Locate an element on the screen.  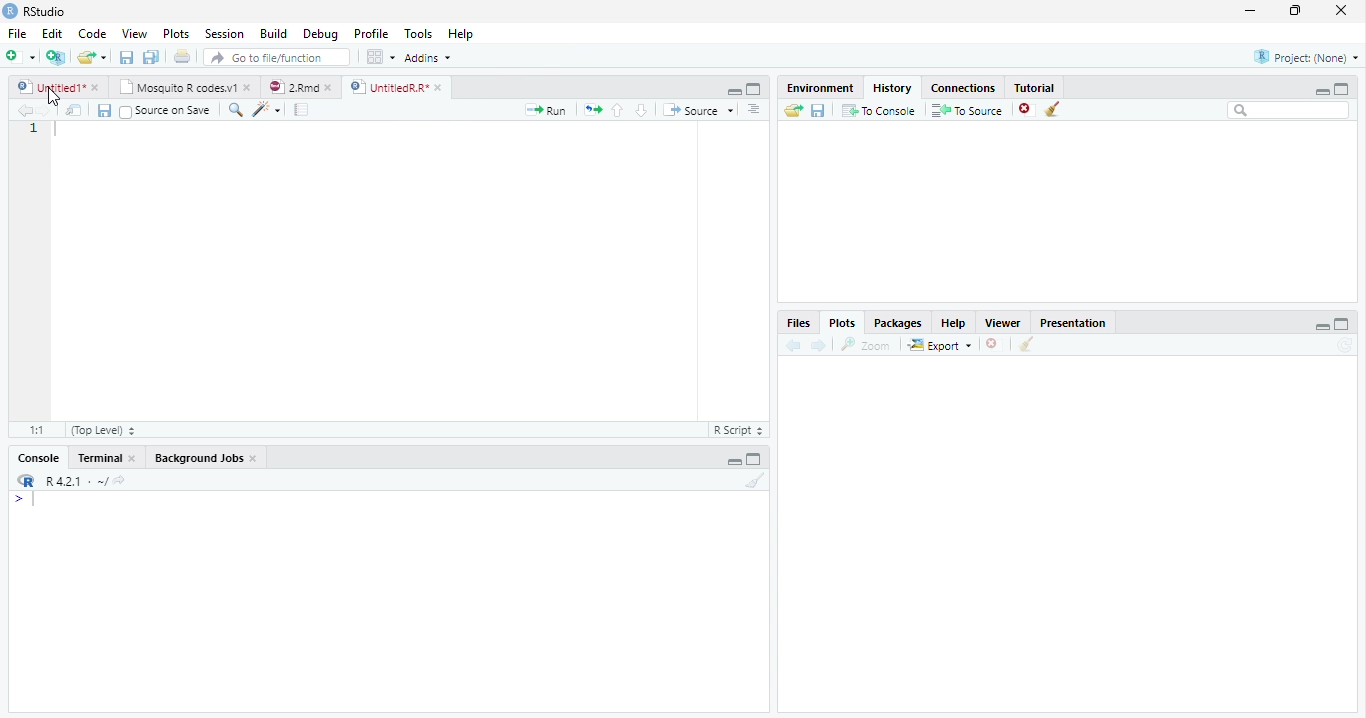
Down is located at coordinates (642, 111).